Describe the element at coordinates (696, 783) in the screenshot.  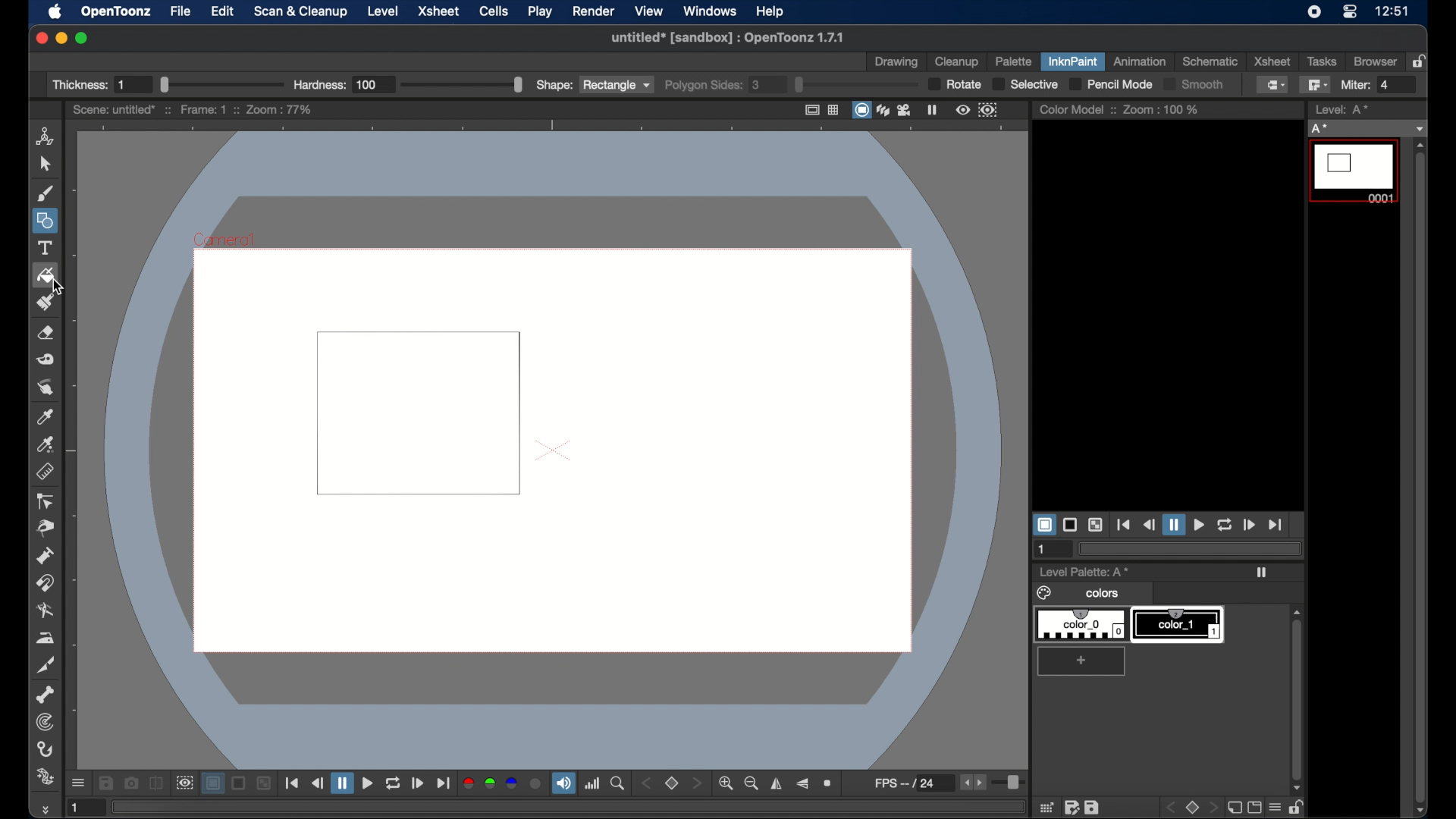
I see `stepper button` at that location.